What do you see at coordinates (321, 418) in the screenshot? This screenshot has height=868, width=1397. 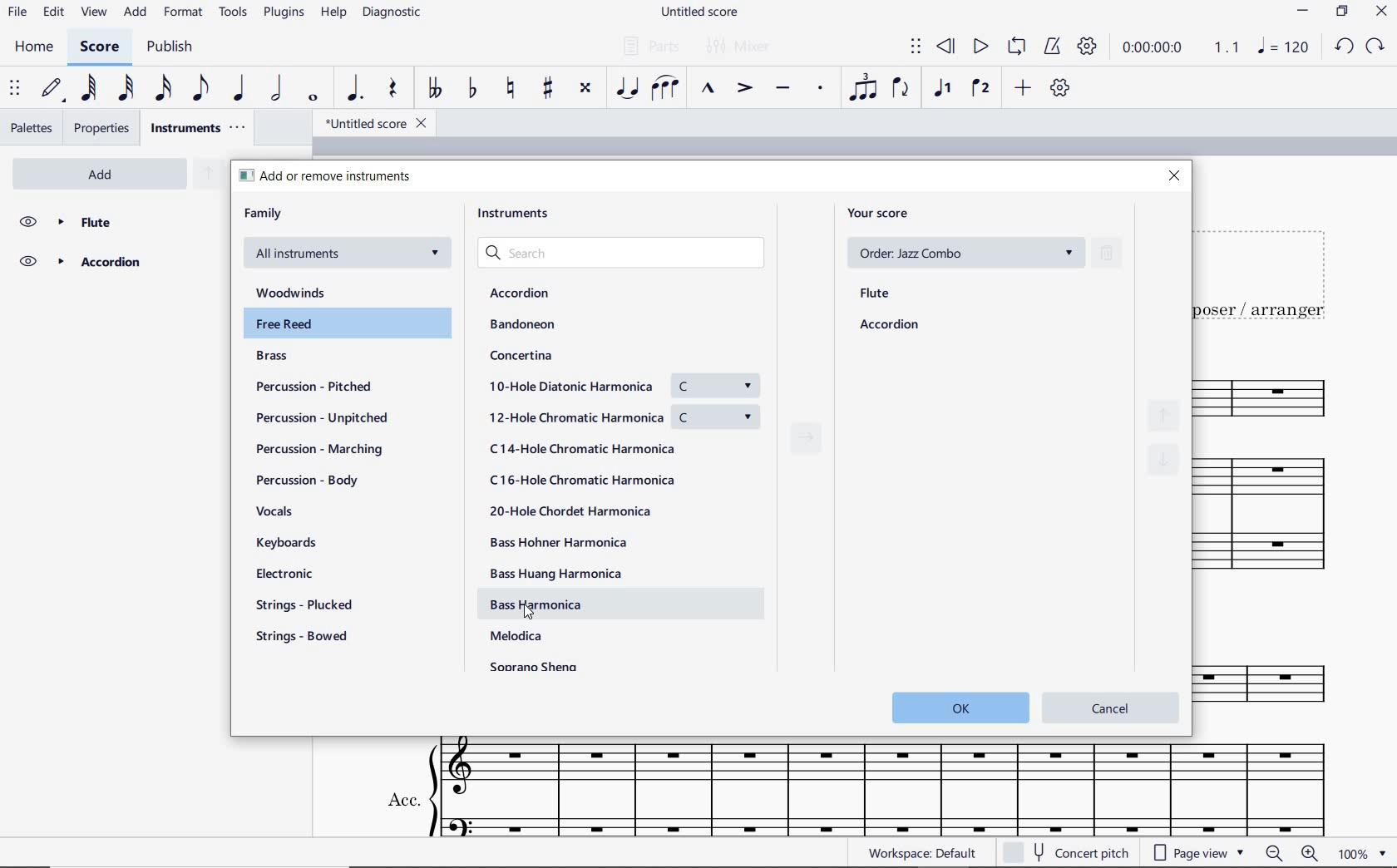 I see `percussion - unpitched` at bounding box center [321, 418].